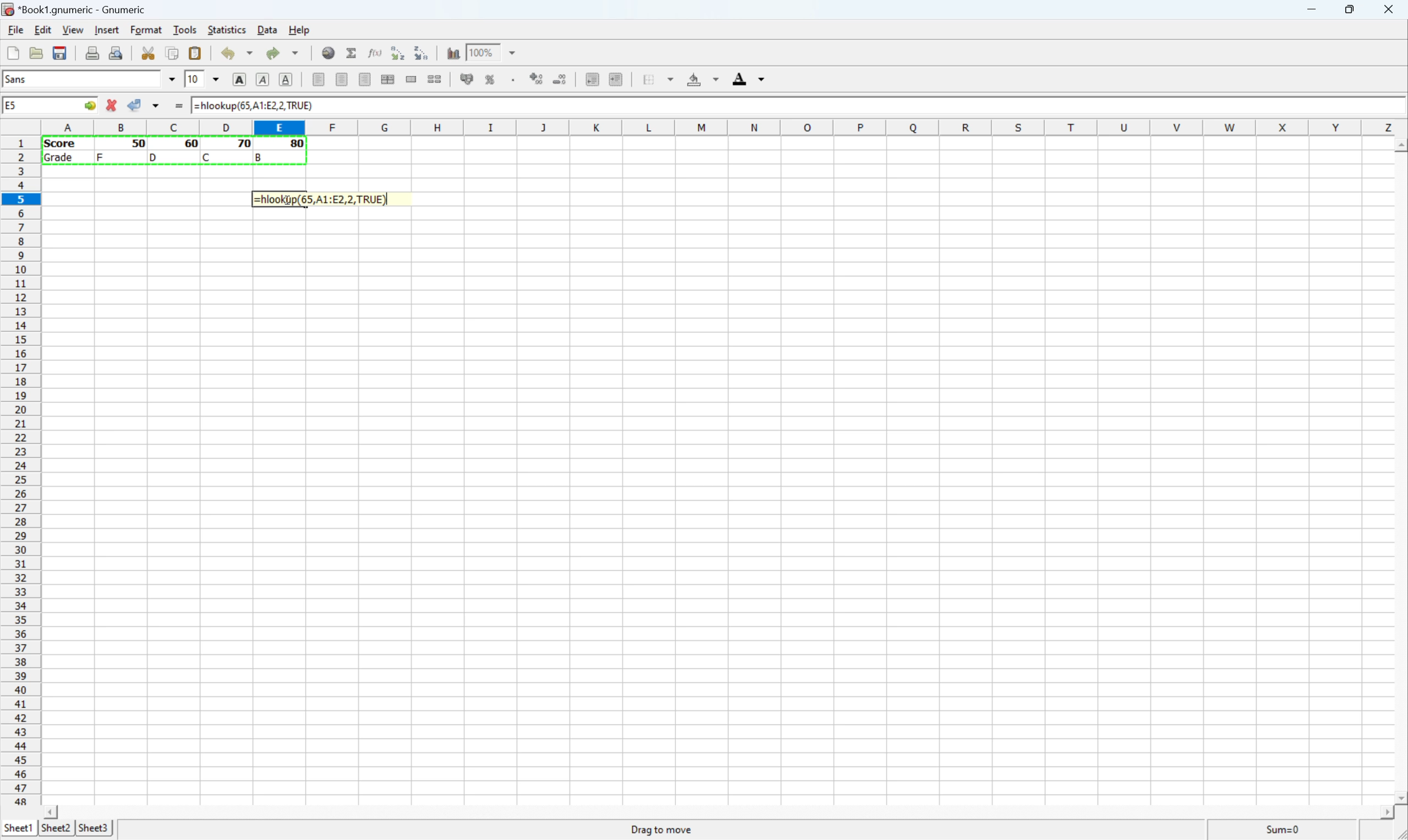 This screenshot has width=1408, height=840. I want to click on Undo, so click(235, 53).